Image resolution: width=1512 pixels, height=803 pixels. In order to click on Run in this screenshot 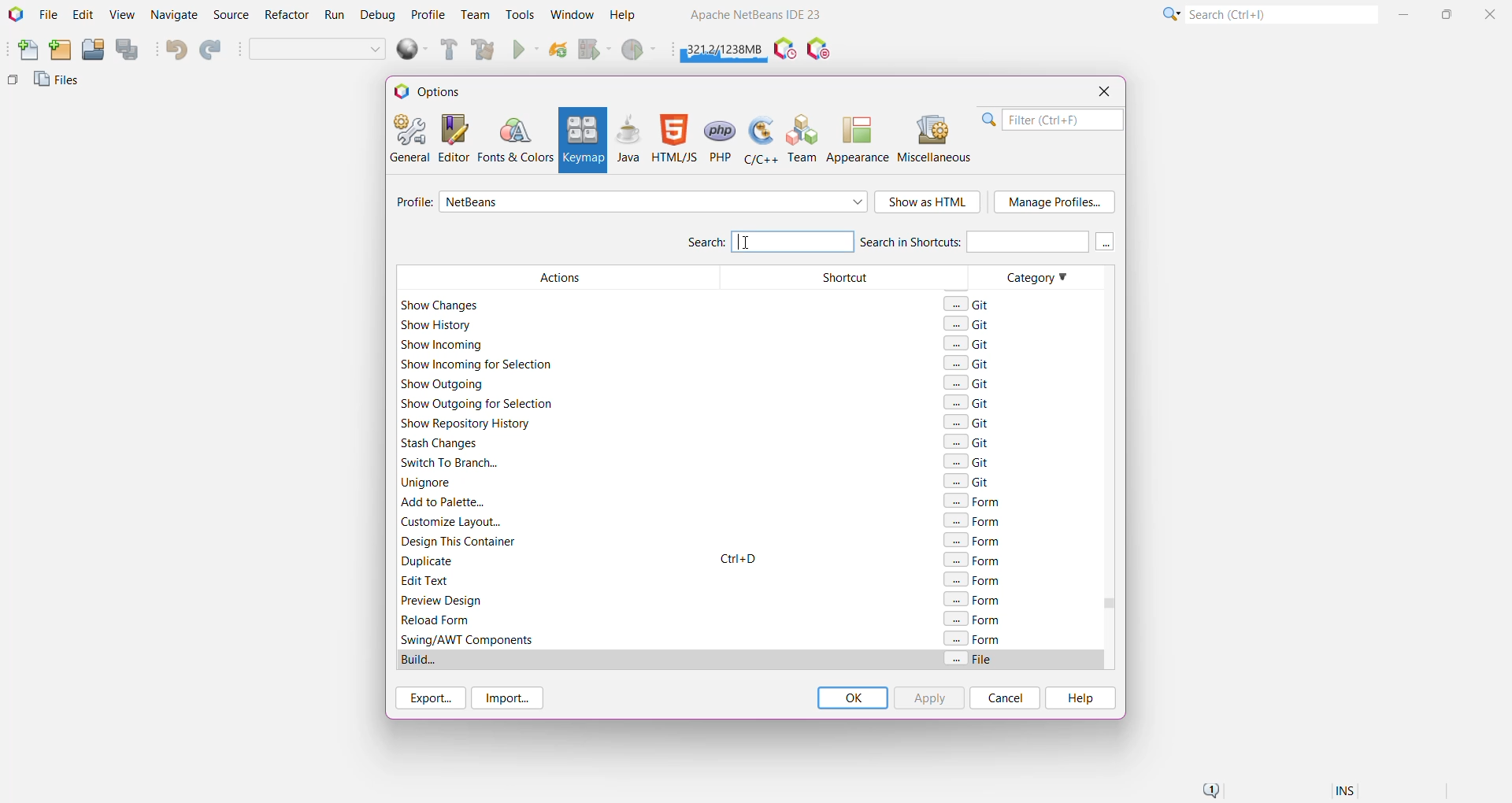, I will do `click(526, 51)`.